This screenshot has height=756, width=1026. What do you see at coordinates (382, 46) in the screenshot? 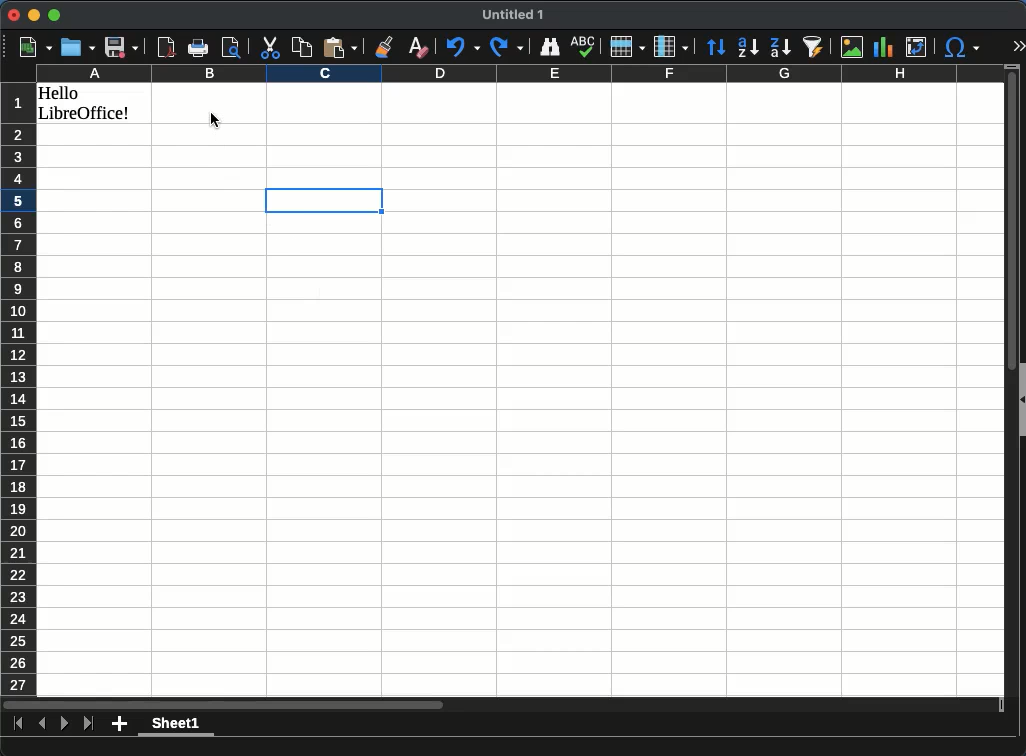
I see `clone formatting` at bounding box center [382, 46].